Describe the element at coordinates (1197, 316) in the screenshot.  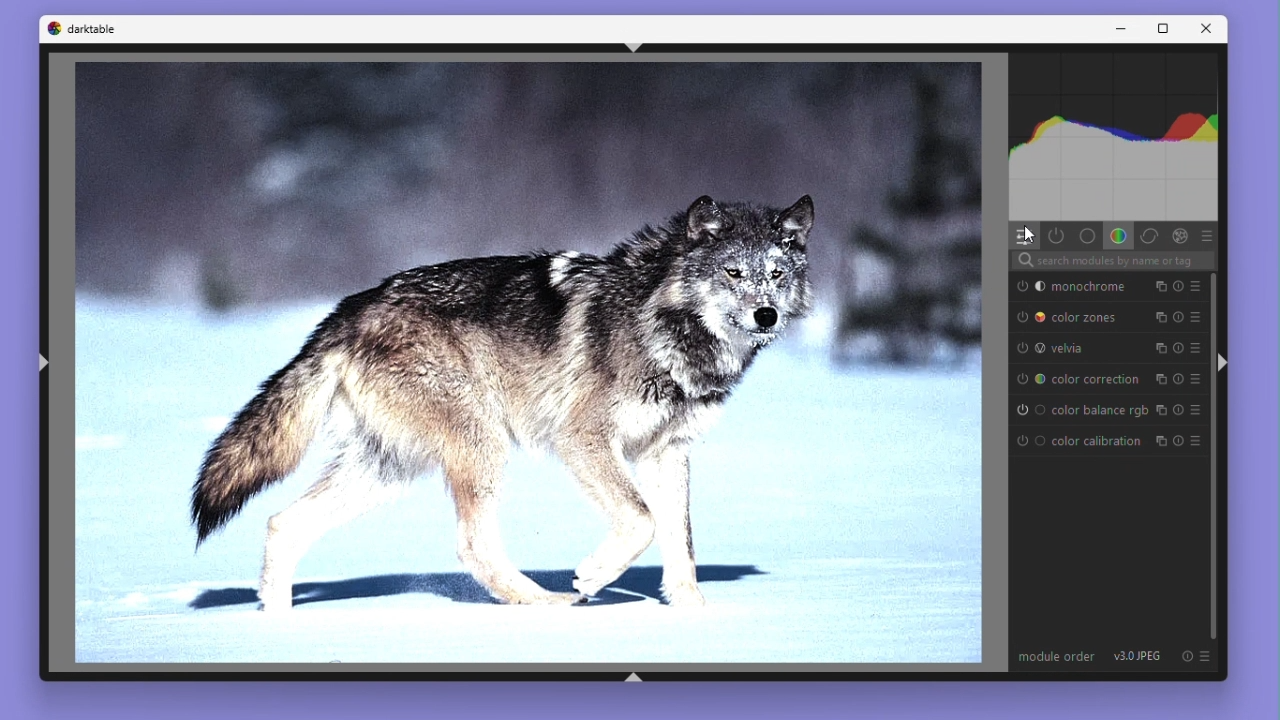
I see `presets` at that location.